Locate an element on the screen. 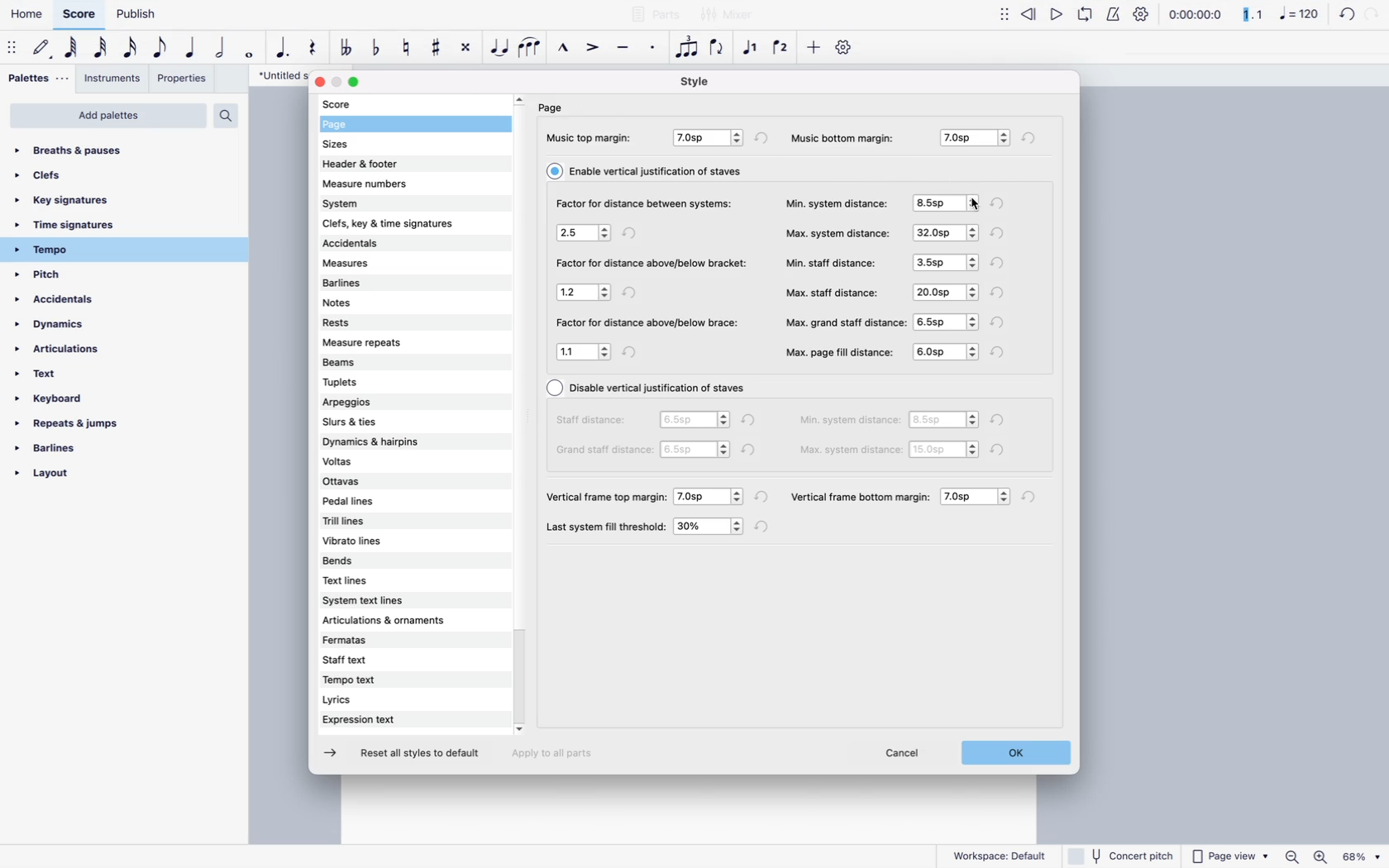 Image resolution: width=1389 pixels, height=868 pixels. music top margin is located at coordinates (591, 137).